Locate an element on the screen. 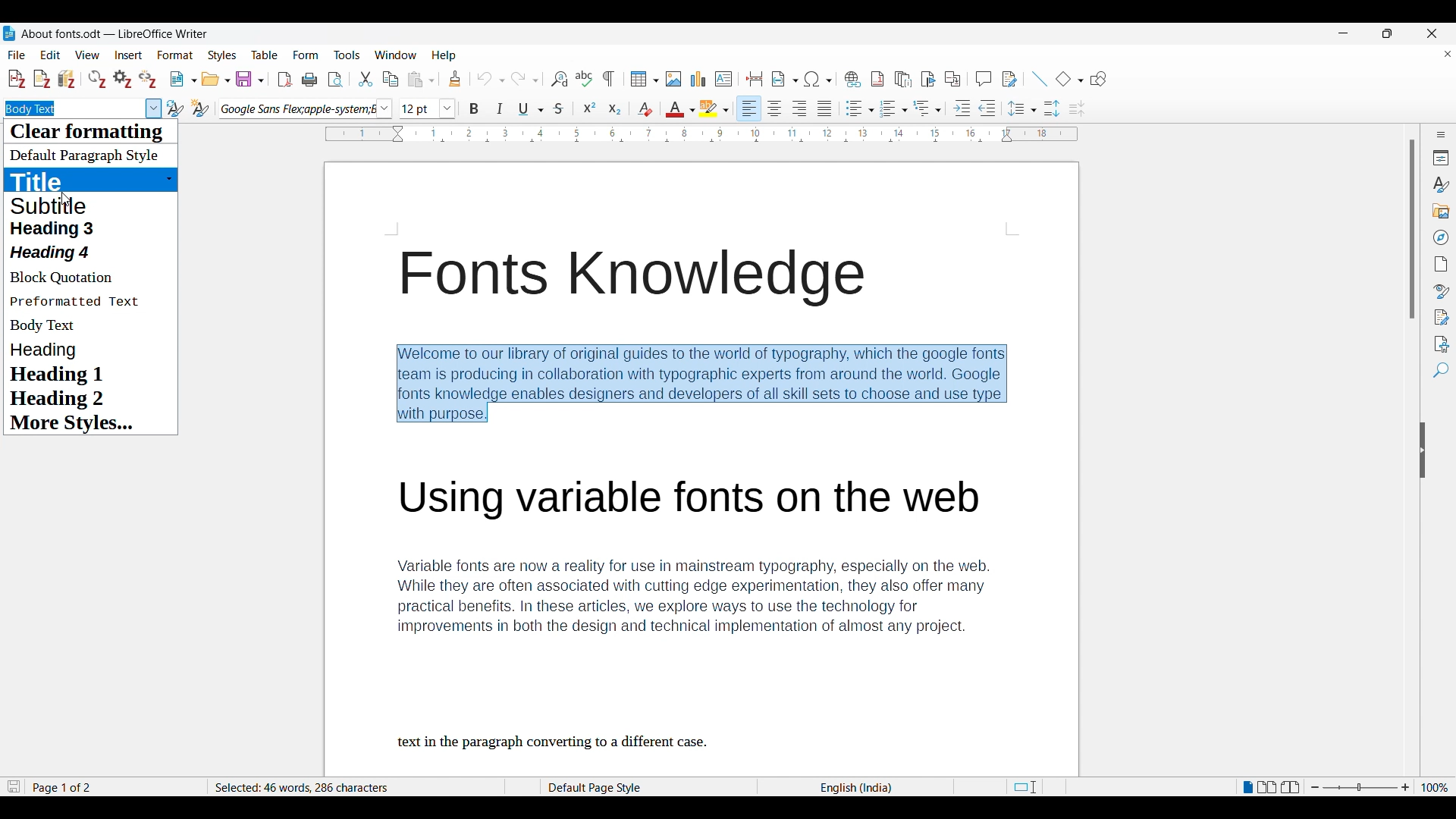  Subscript is located at coordinates (615, 108).